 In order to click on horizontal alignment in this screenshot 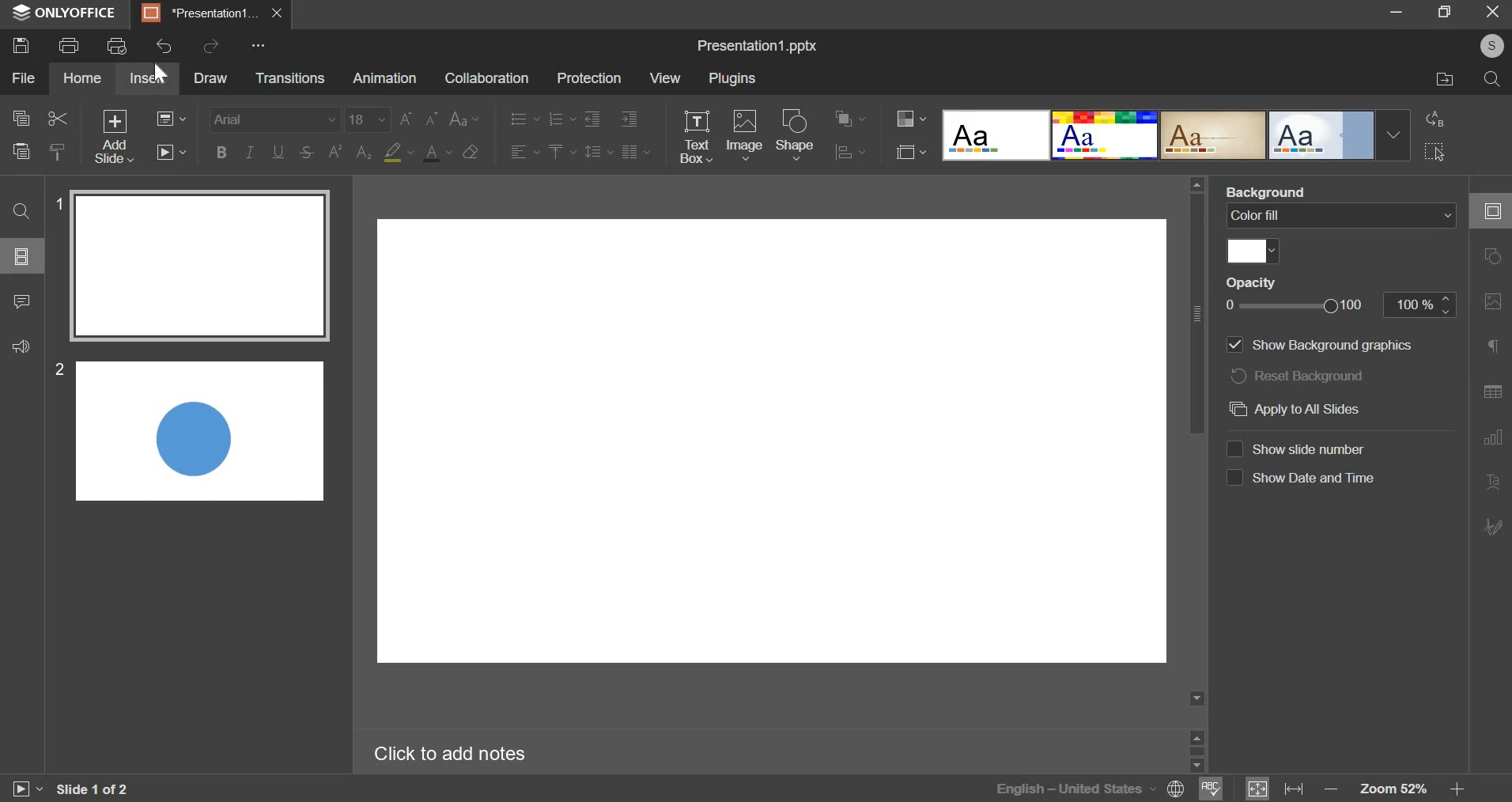, I will do `click(524, 153)`.